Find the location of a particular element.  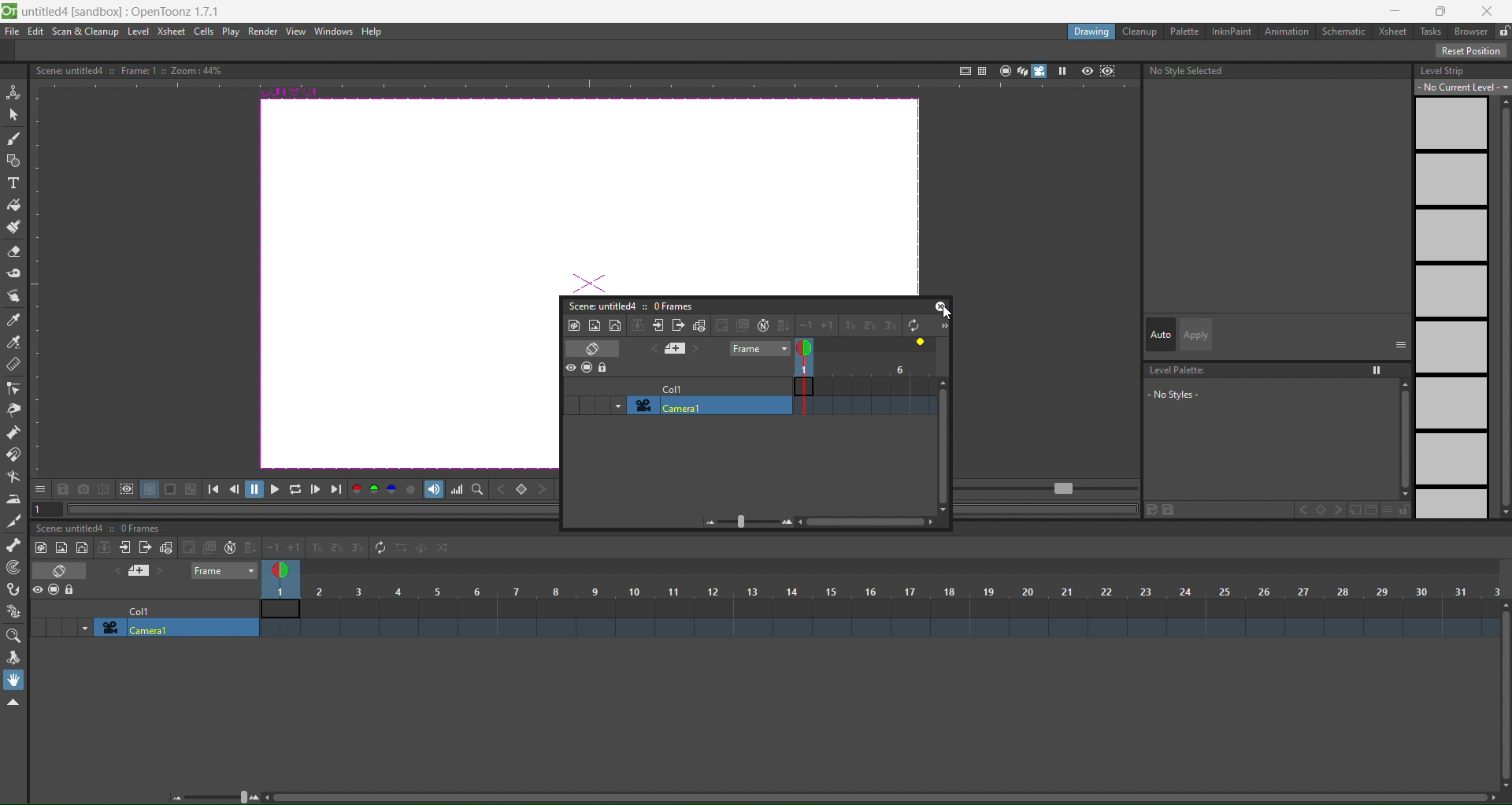

freeze is located at coordinates (1061, 71).